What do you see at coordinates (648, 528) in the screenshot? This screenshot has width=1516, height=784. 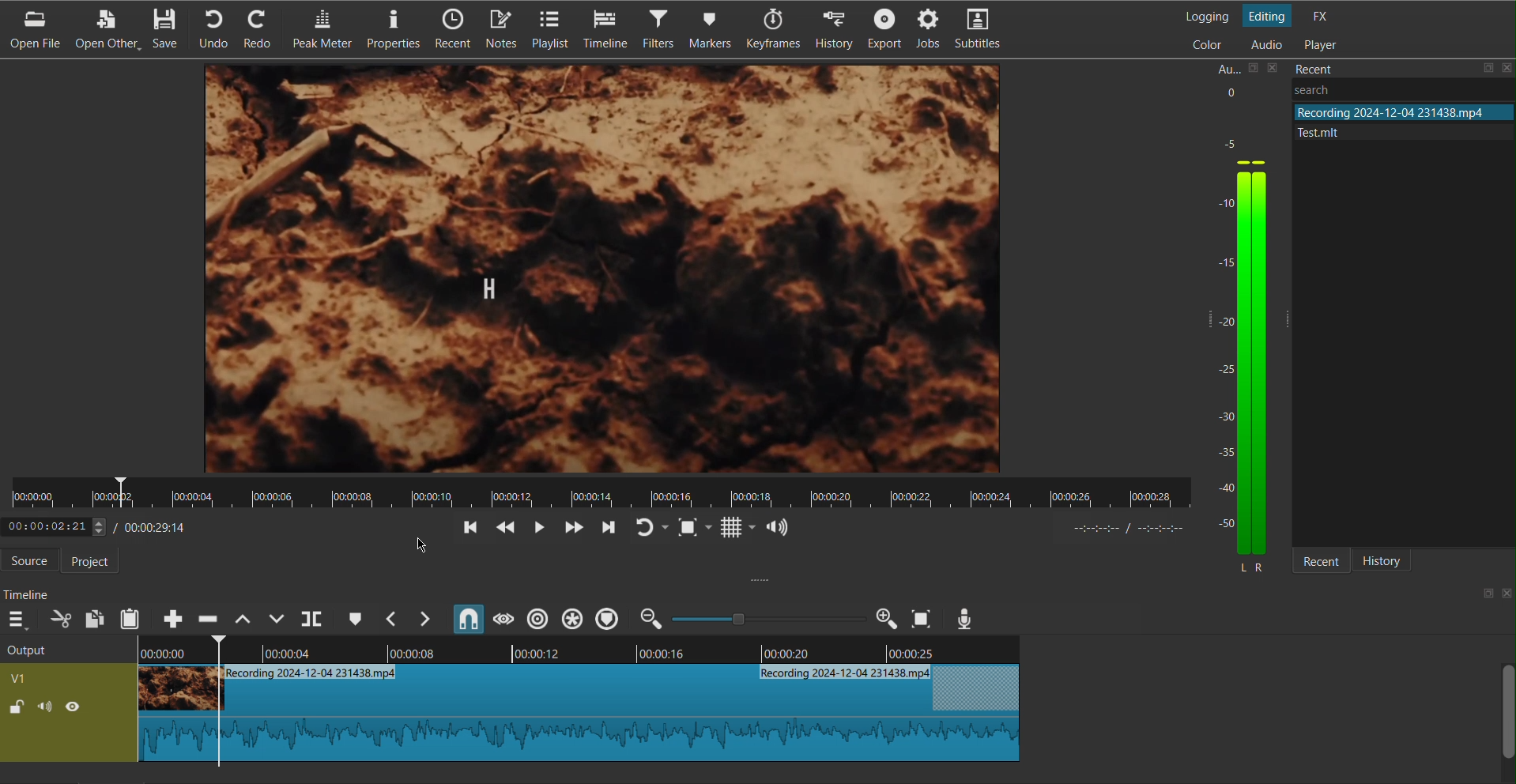 I see `Redo` at bounding box center [648, 528].